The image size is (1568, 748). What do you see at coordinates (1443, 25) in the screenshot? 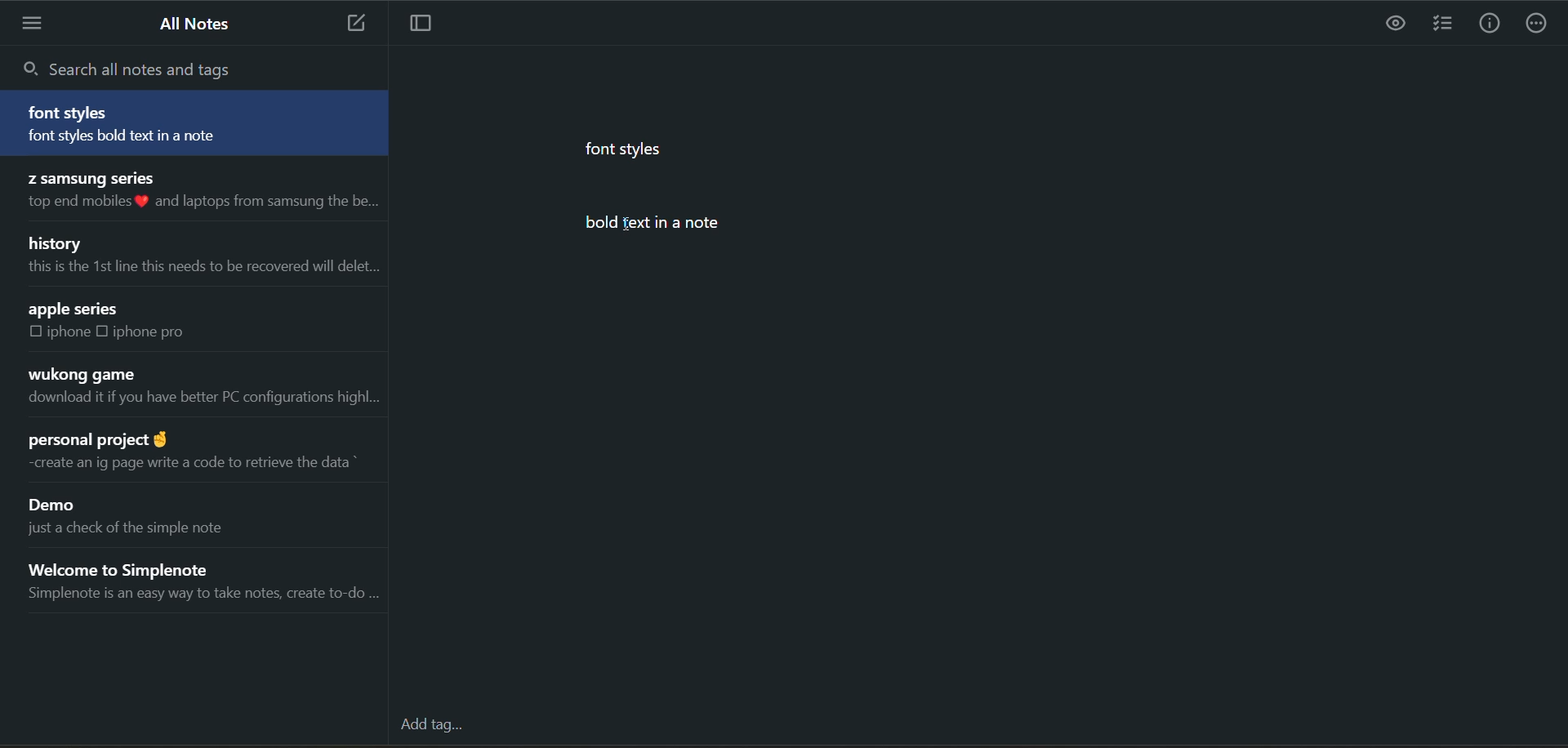
I see `insert checklist` at bounding box center [1443, 25].